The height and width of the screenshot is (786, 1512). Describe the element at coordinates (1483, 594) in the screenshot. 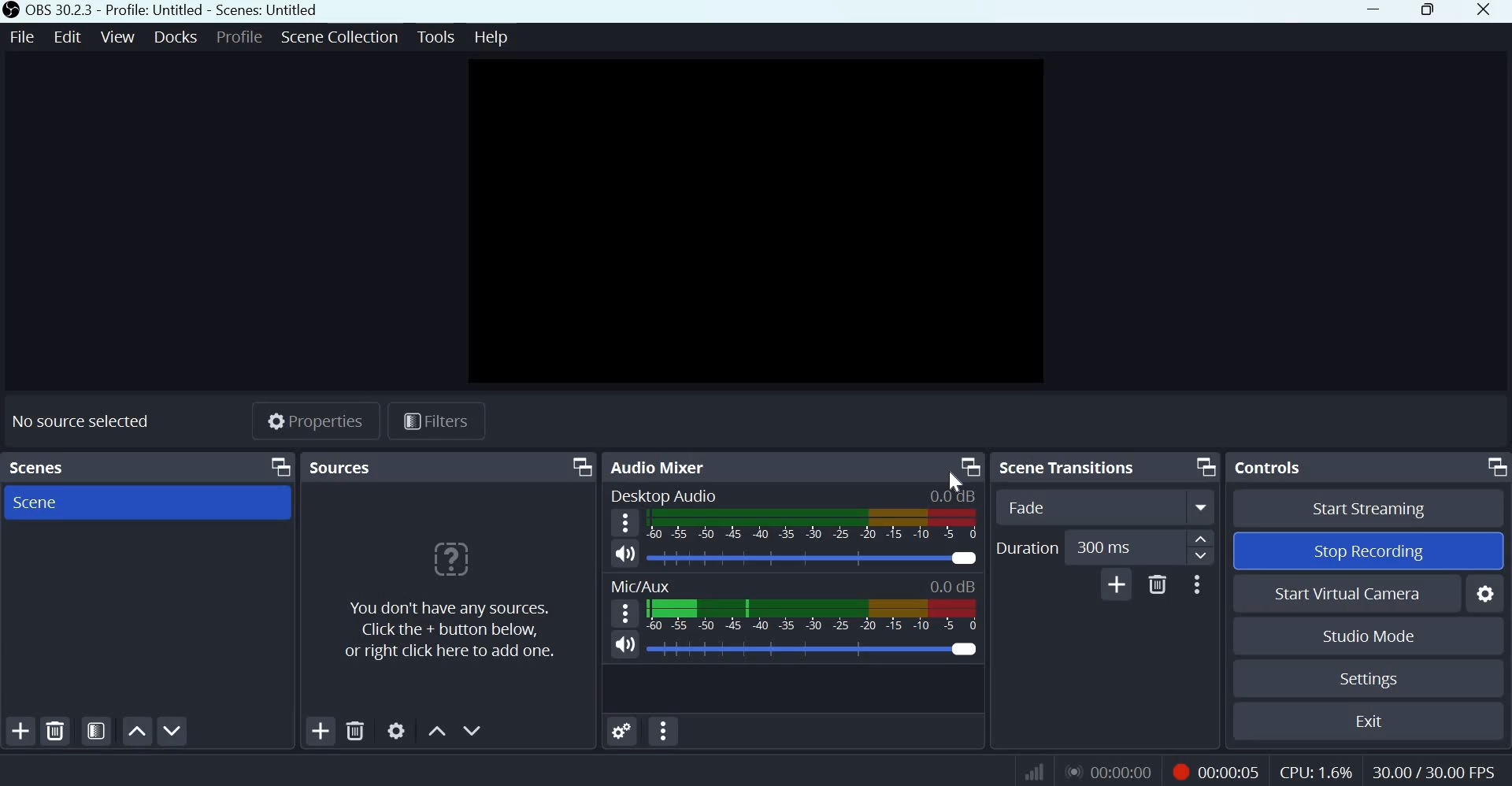

I see `Configure virtual camera` at that location.